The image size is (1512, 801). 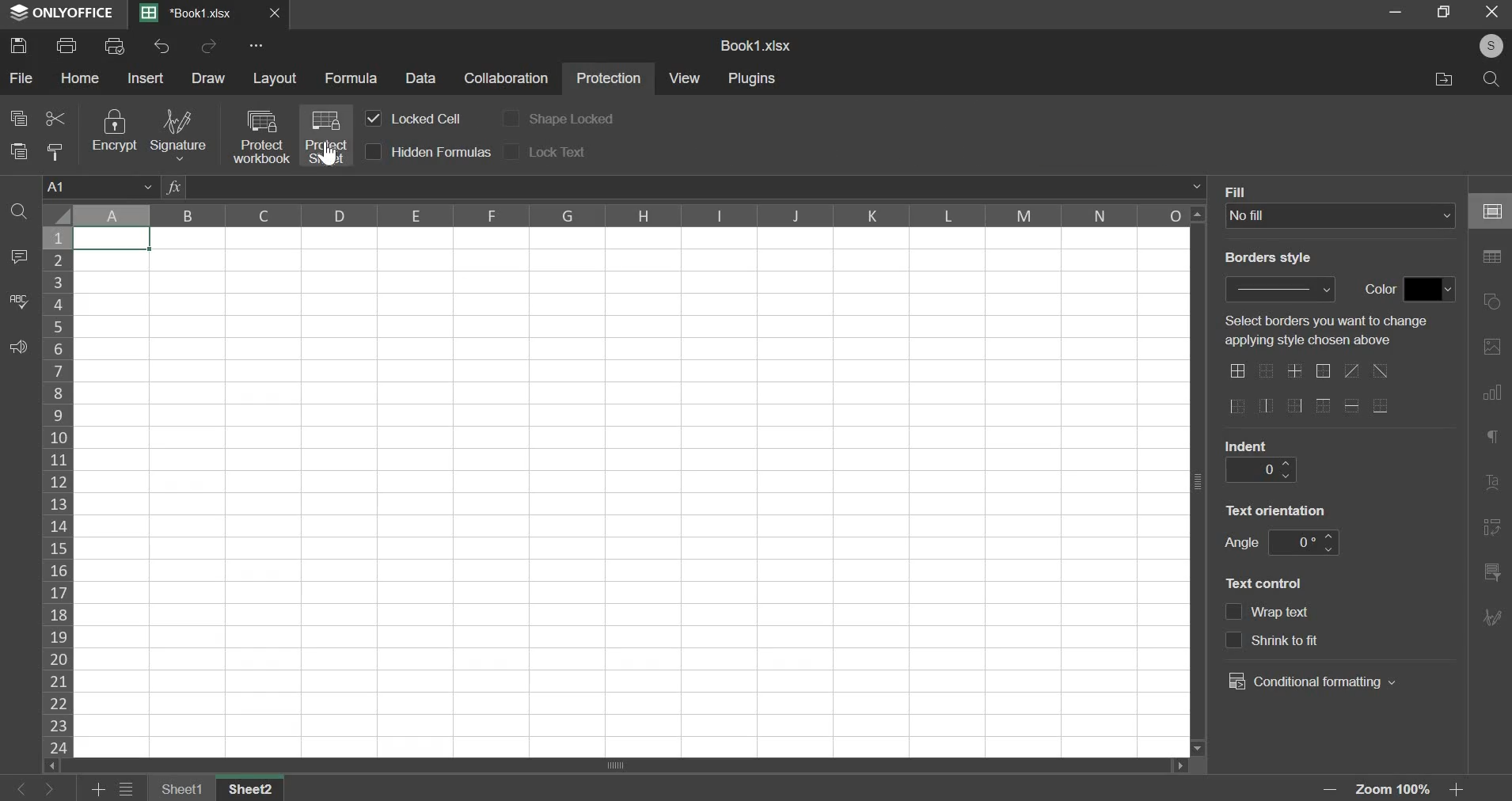 What do you see at coordinates (1239, 191) in the screenshot?
I see `Fill` at bounding box center [1239, 191].